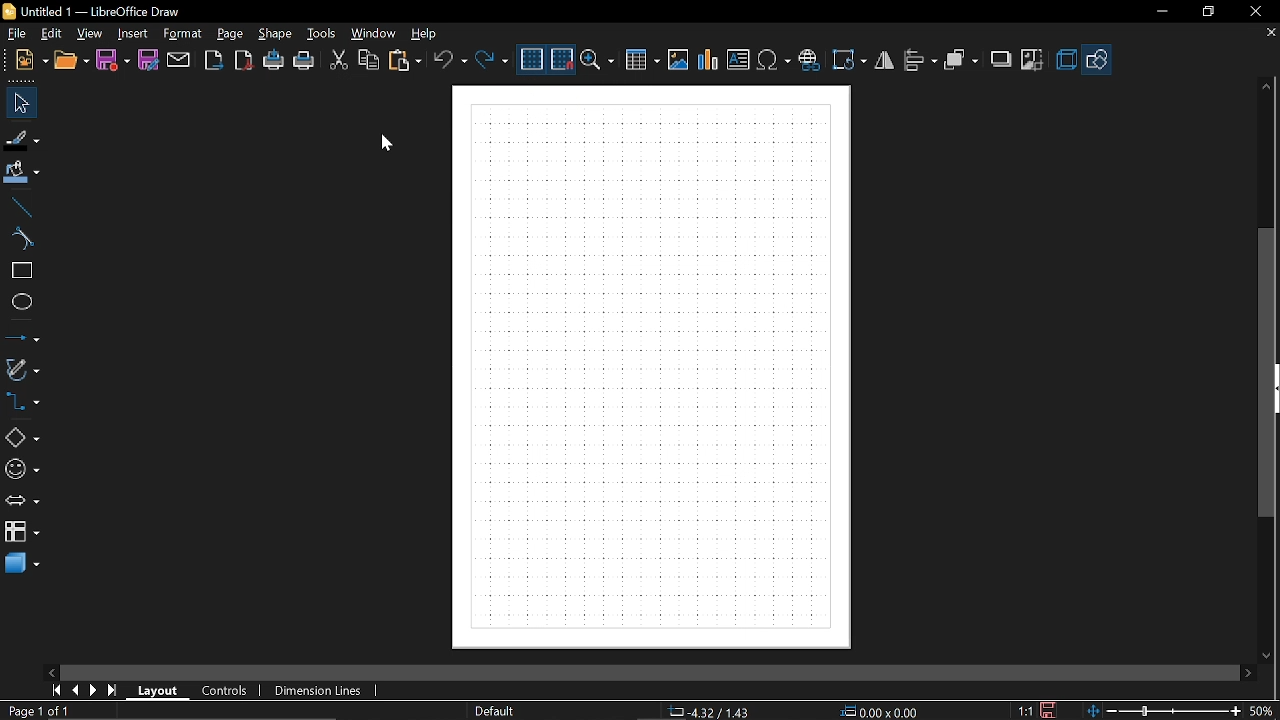 This screenshot has width=1280, height=720. What do you see at coordinates (321, 691) in the screenshot?
I see `dimension lines` at bounding box center [321, 691].